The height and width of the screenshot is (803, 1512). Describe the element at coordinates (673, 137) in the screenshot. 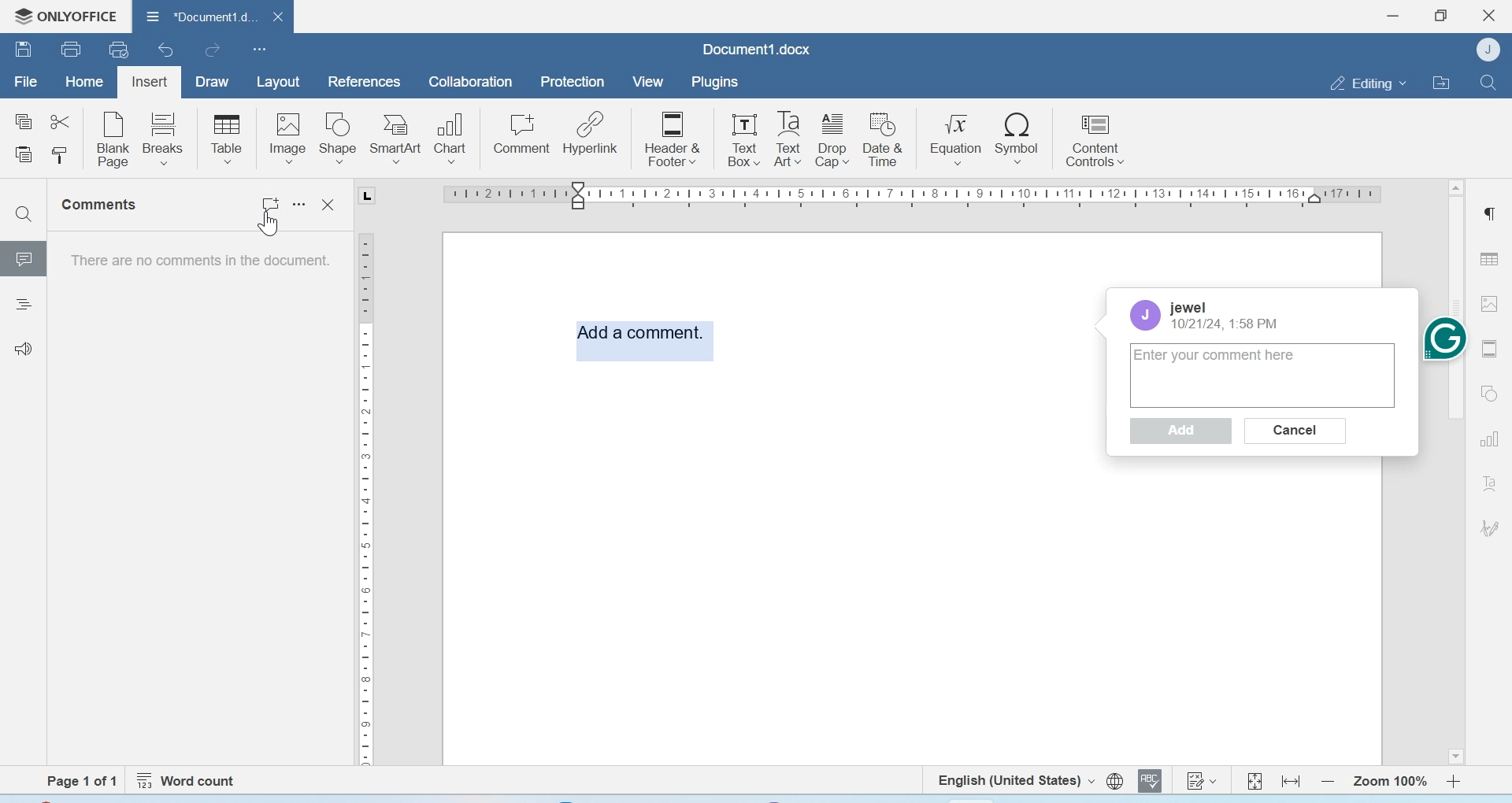

I see `Header & Footer` at that location.